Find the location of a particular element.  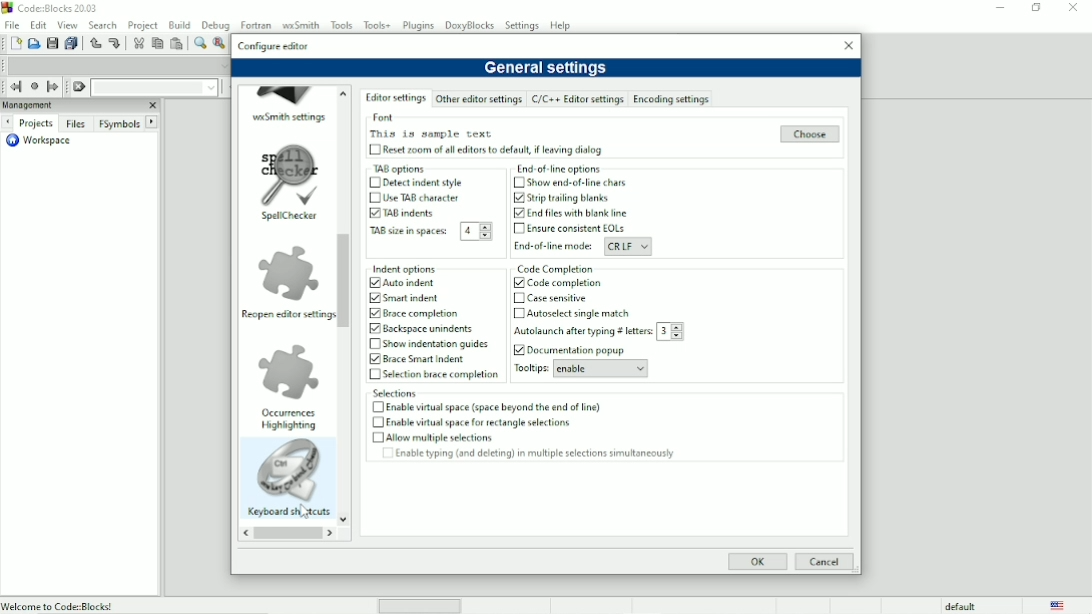

 is located at coordinates (374, 212).